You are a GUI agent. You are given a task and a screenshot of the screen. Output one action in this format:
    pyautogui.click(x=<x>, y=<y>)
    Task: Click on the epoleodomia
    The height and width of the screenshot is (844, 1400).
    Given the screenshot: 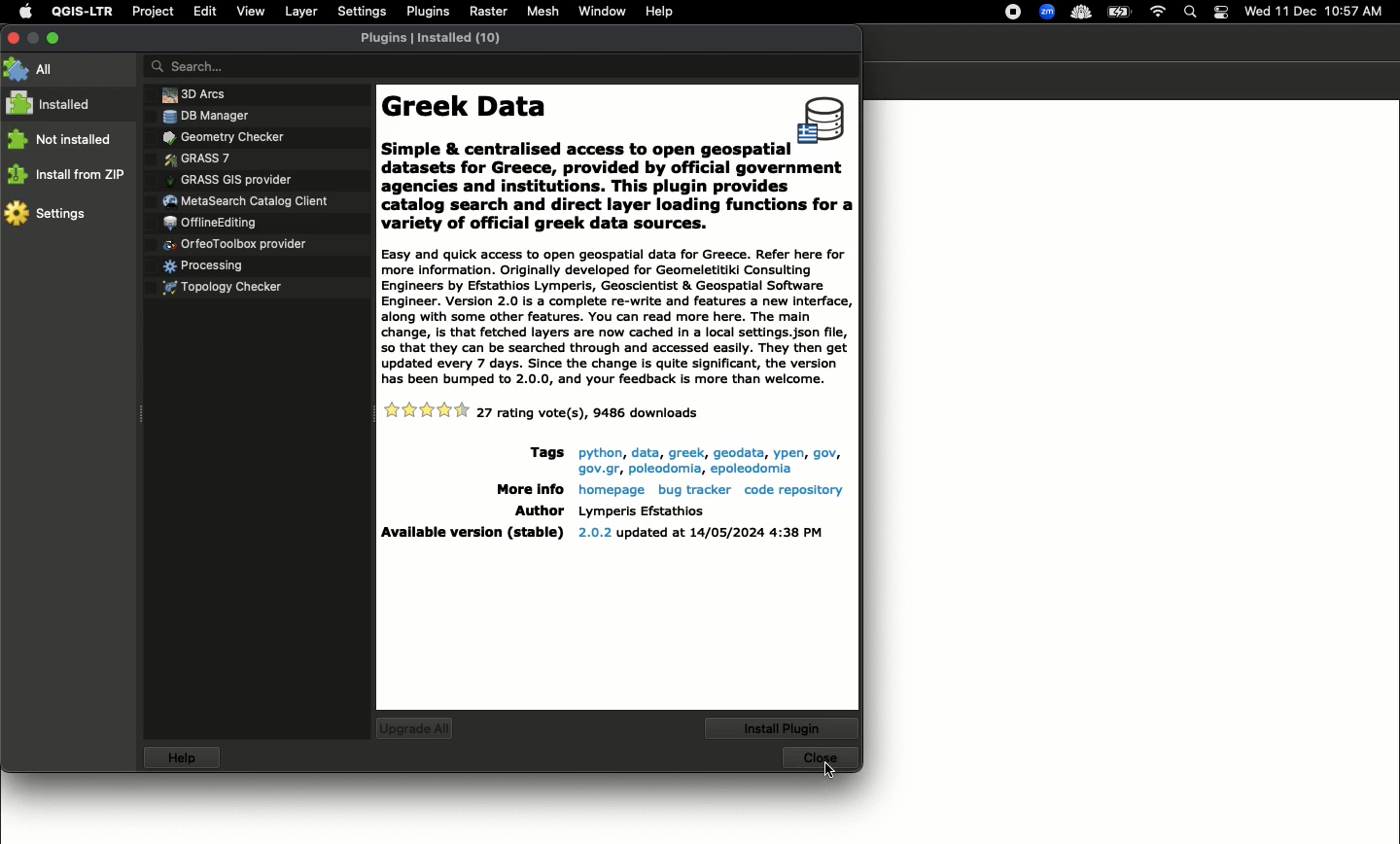 What is the action you would take?
    pyautogui.click(x=752, y=471)
    